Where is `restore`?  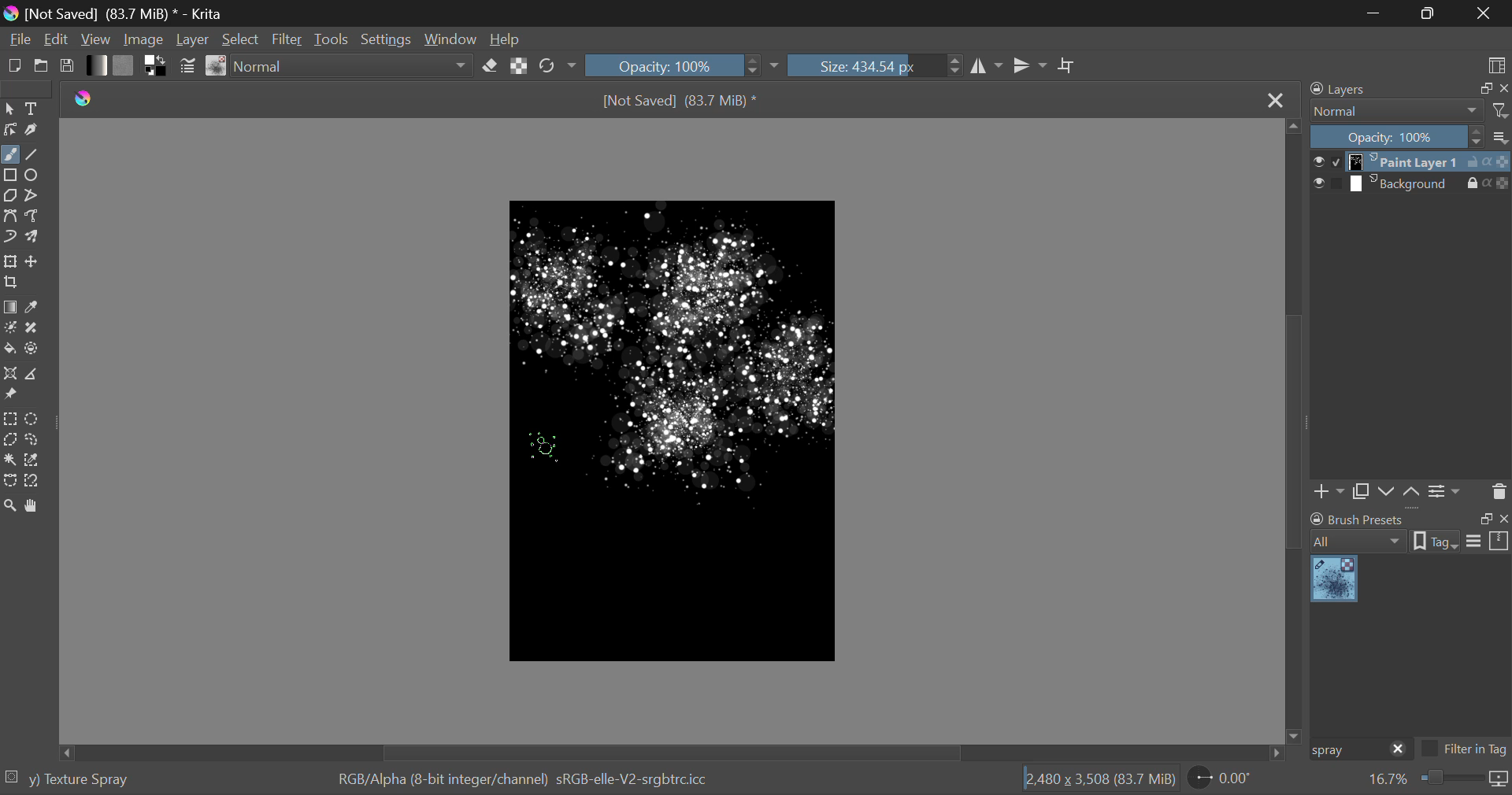 restore is located at coordinates (1483, 89).